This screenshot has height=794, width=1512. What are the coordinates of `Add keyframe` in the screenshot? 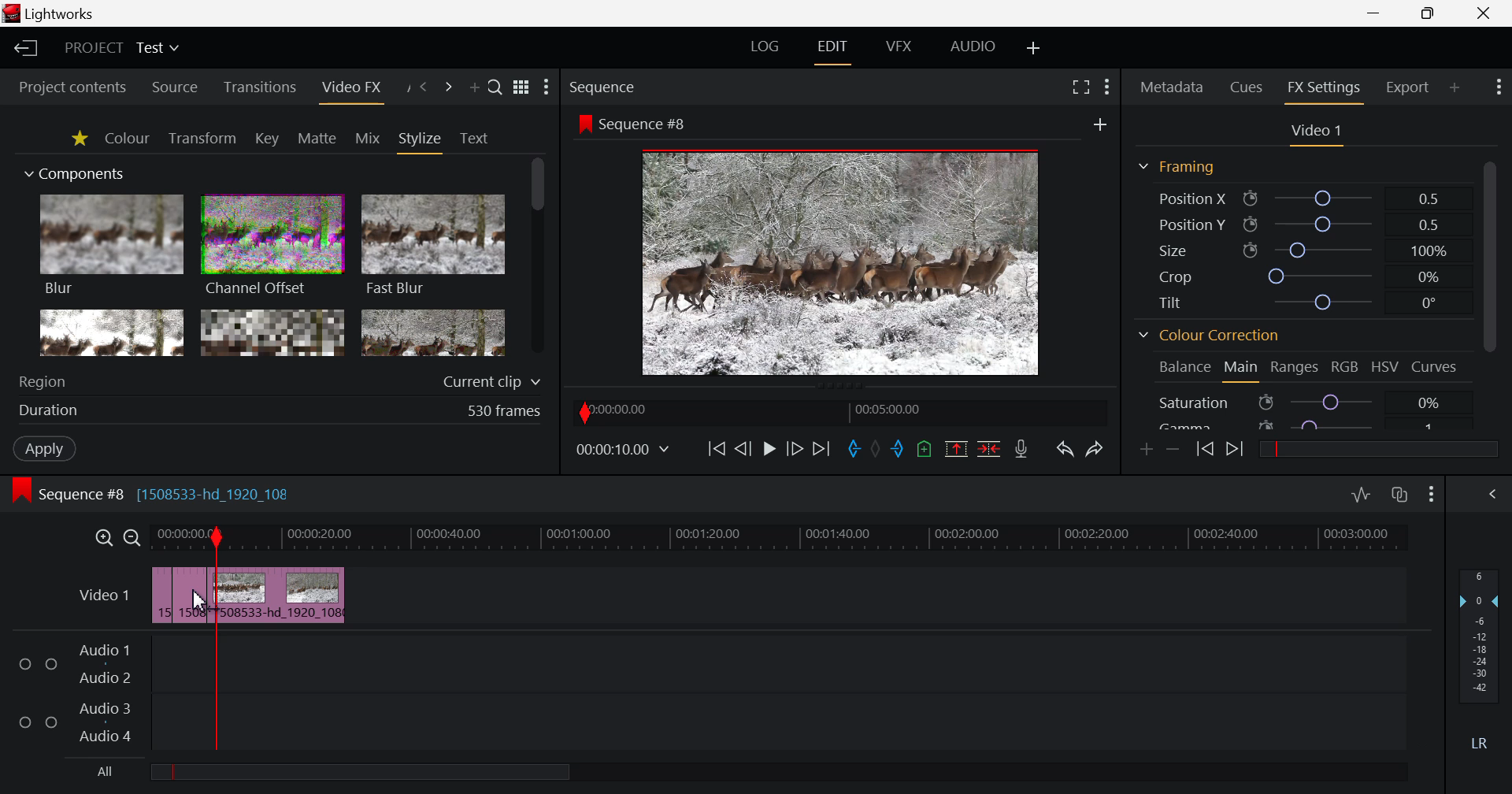 It's located at (1147, 451).